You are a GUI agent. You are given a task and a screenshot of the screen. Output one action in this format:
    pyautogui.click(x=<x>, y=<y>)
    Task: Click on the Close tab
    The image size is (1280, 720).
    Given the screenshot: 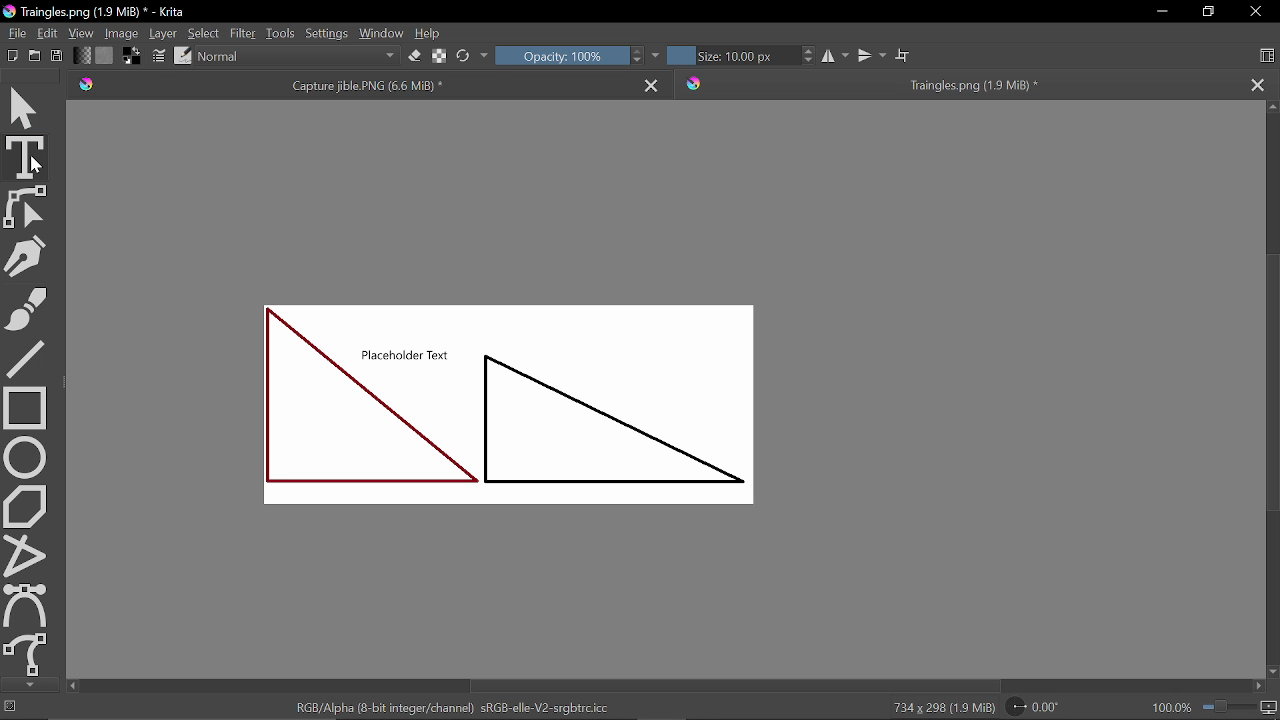 What is the action you would take?
    pyautogui.click(x=1258, y=84)
    